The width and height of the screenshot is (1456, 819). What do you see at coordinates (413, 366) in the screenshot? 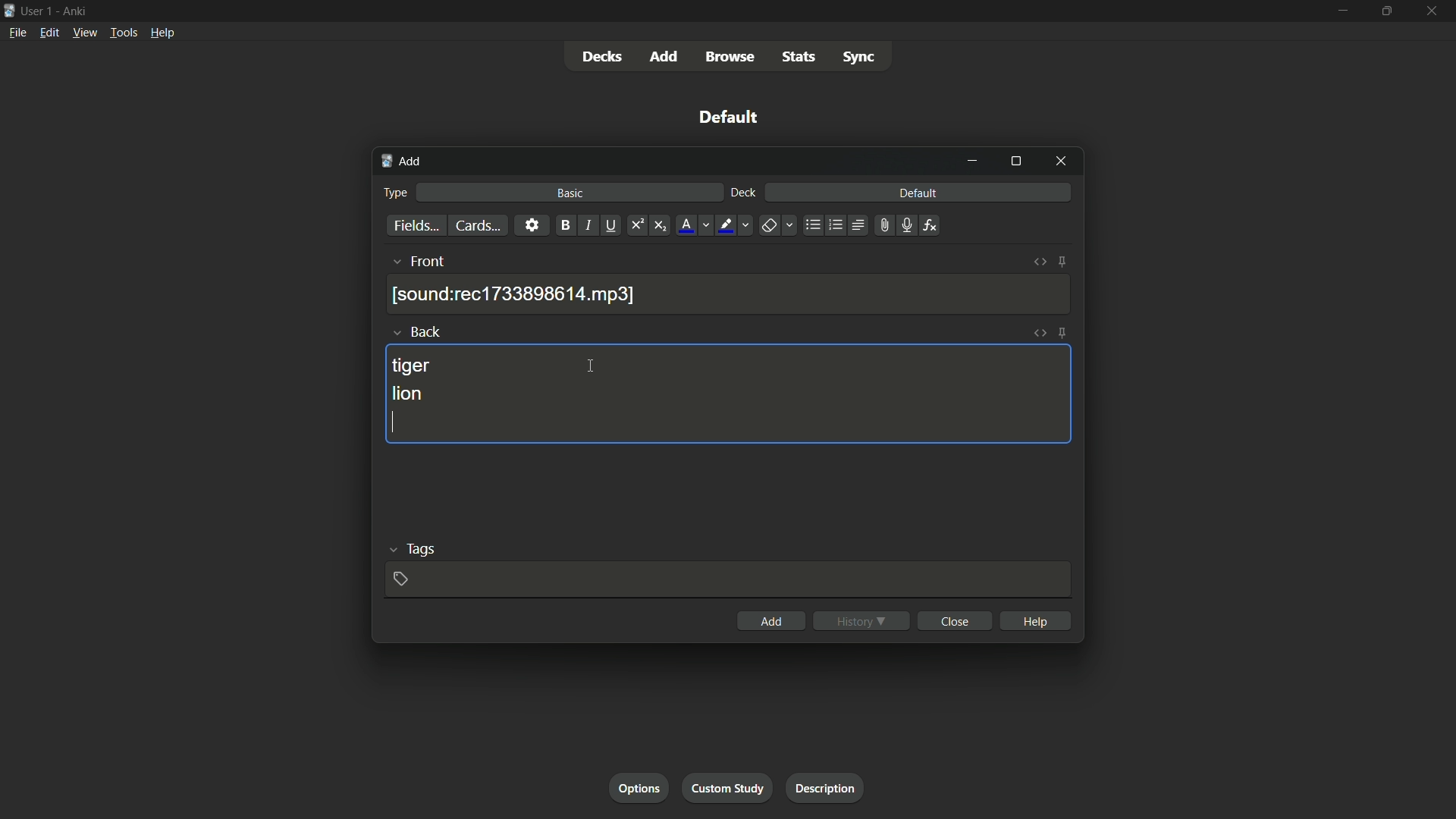
I see `tiger` at bounding box center [413, 366].